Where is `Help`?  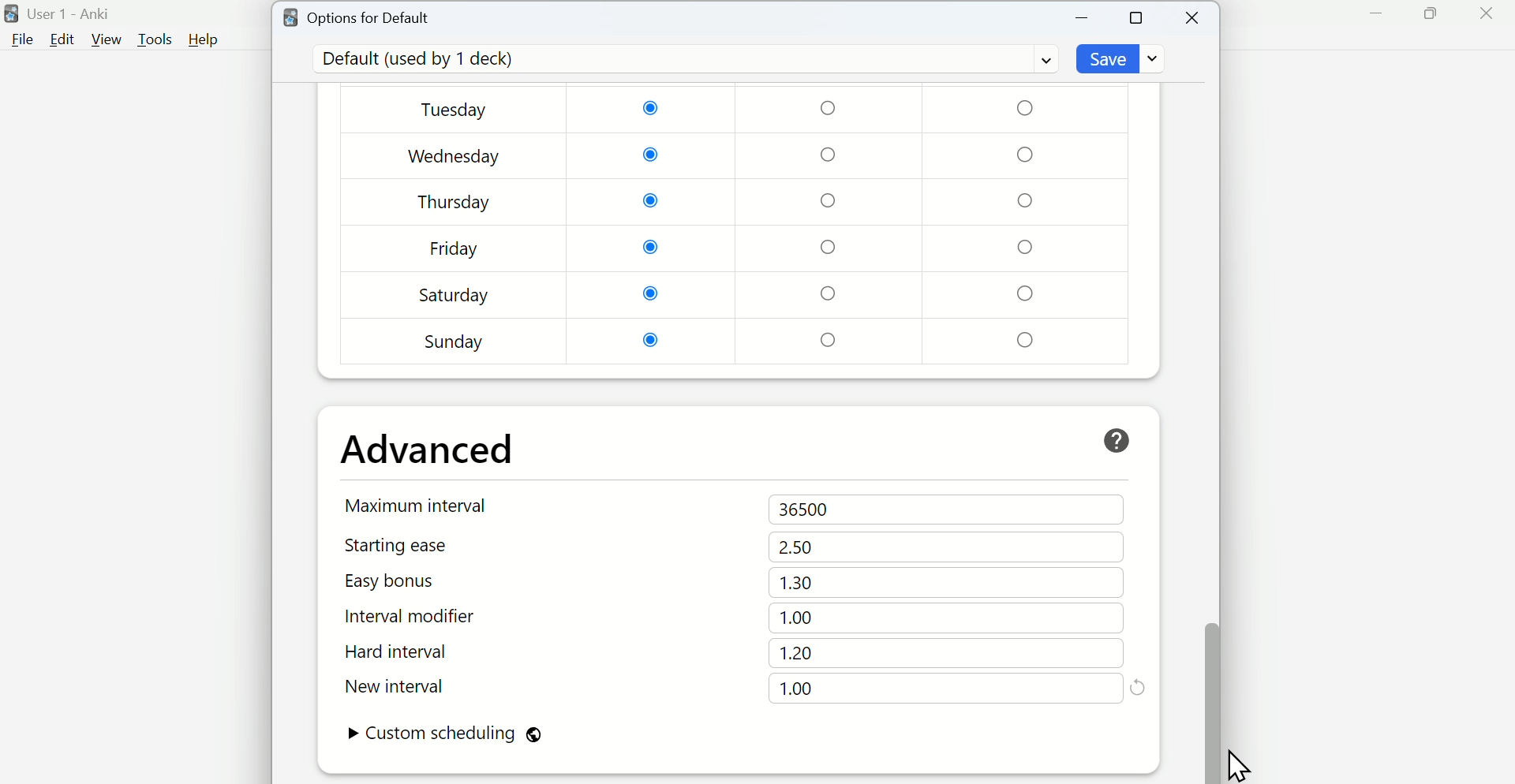
Help is located at coordinates (204, 39).